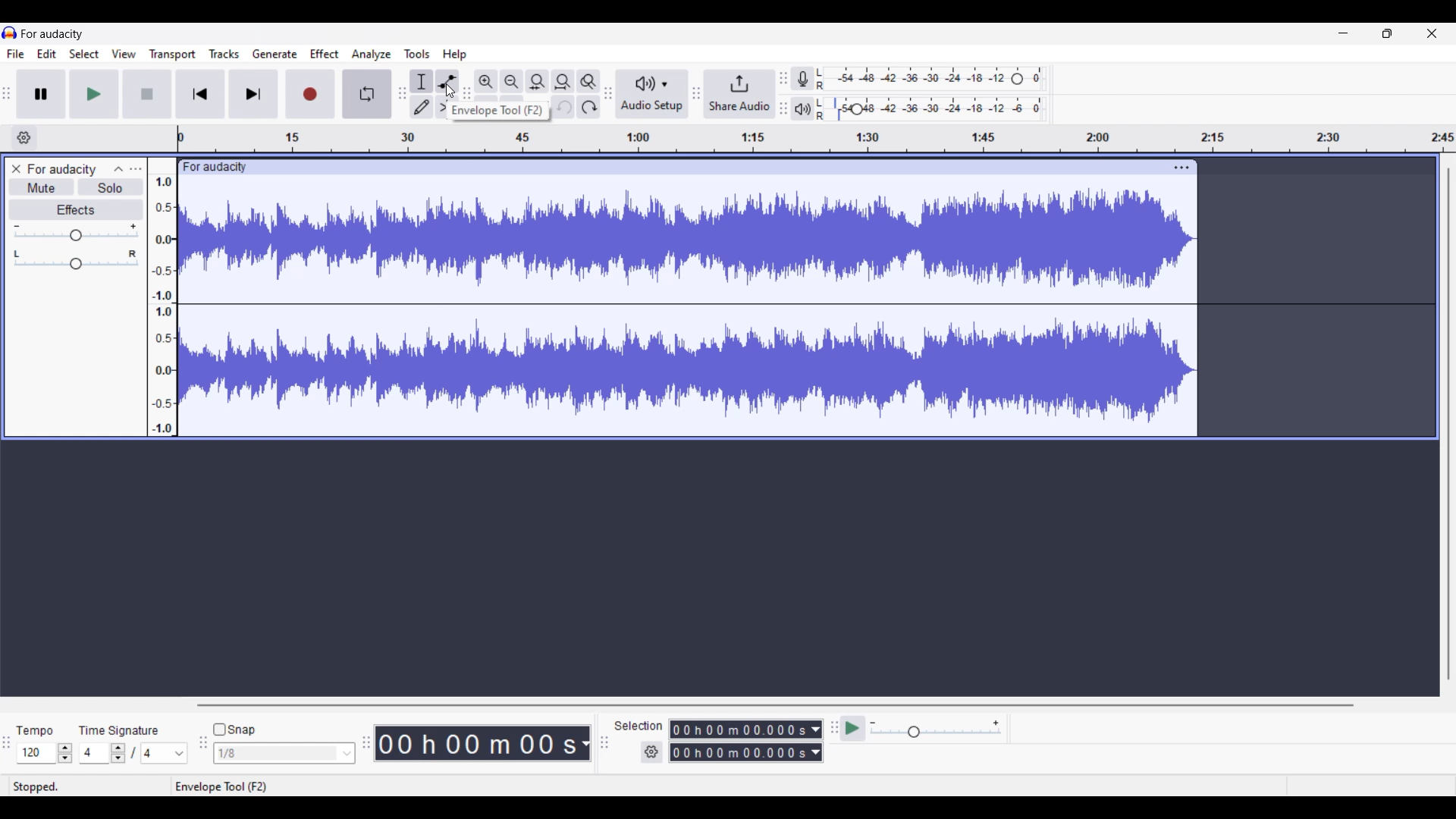  Describe the element at coordinates (95, 94) in the screenshot. I see `Play/Play once` at that location.